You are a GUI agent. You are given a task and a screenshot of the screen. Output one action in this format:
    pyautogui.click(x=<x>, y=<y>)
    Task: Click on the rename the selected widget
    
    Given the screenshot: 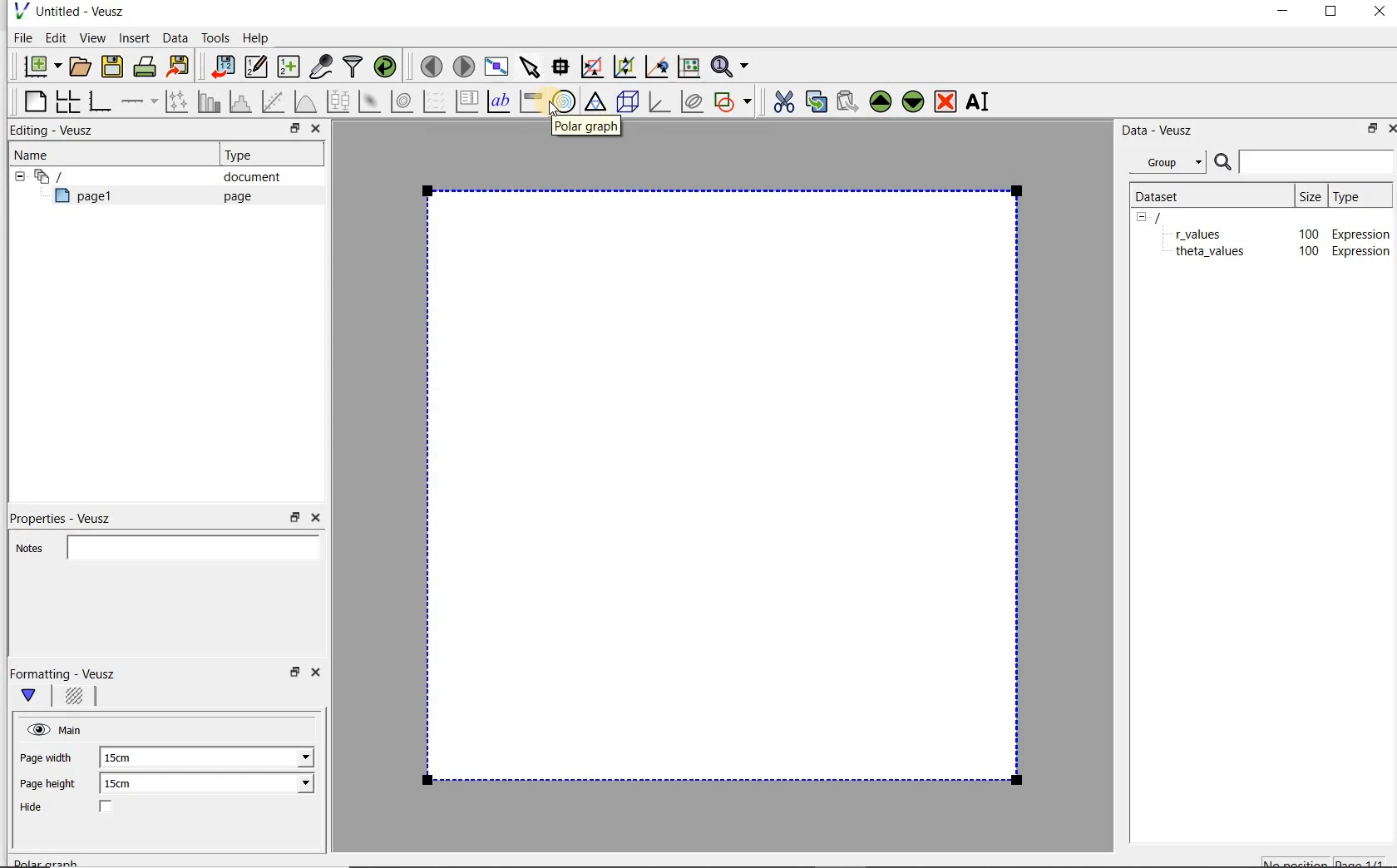 What is the action you would take?
    pyautogui.click(x=981, y=101)
    